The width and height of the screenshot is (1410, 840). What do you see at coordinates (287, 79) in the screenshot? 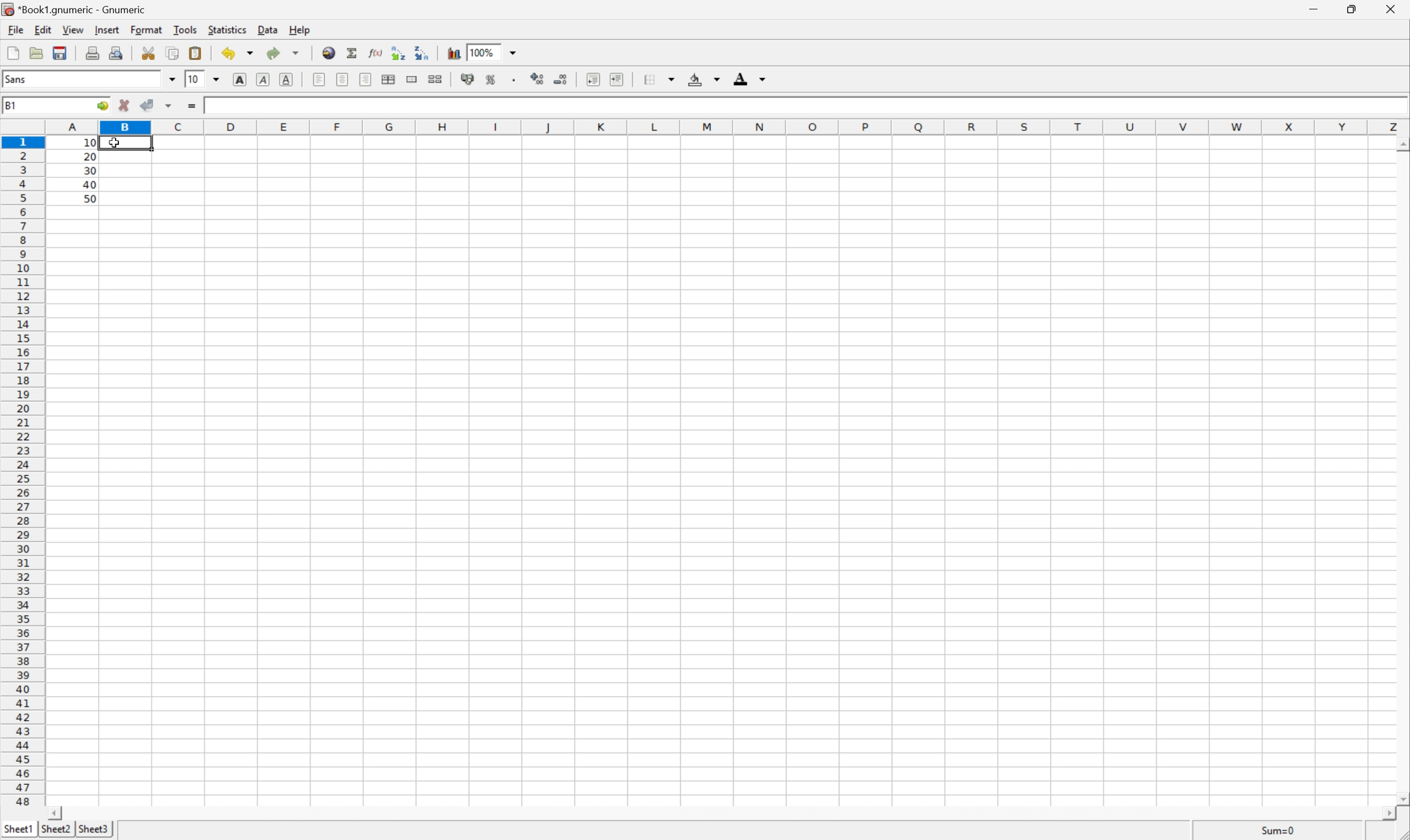
I see `Underline` at bounding box center [287, 79].